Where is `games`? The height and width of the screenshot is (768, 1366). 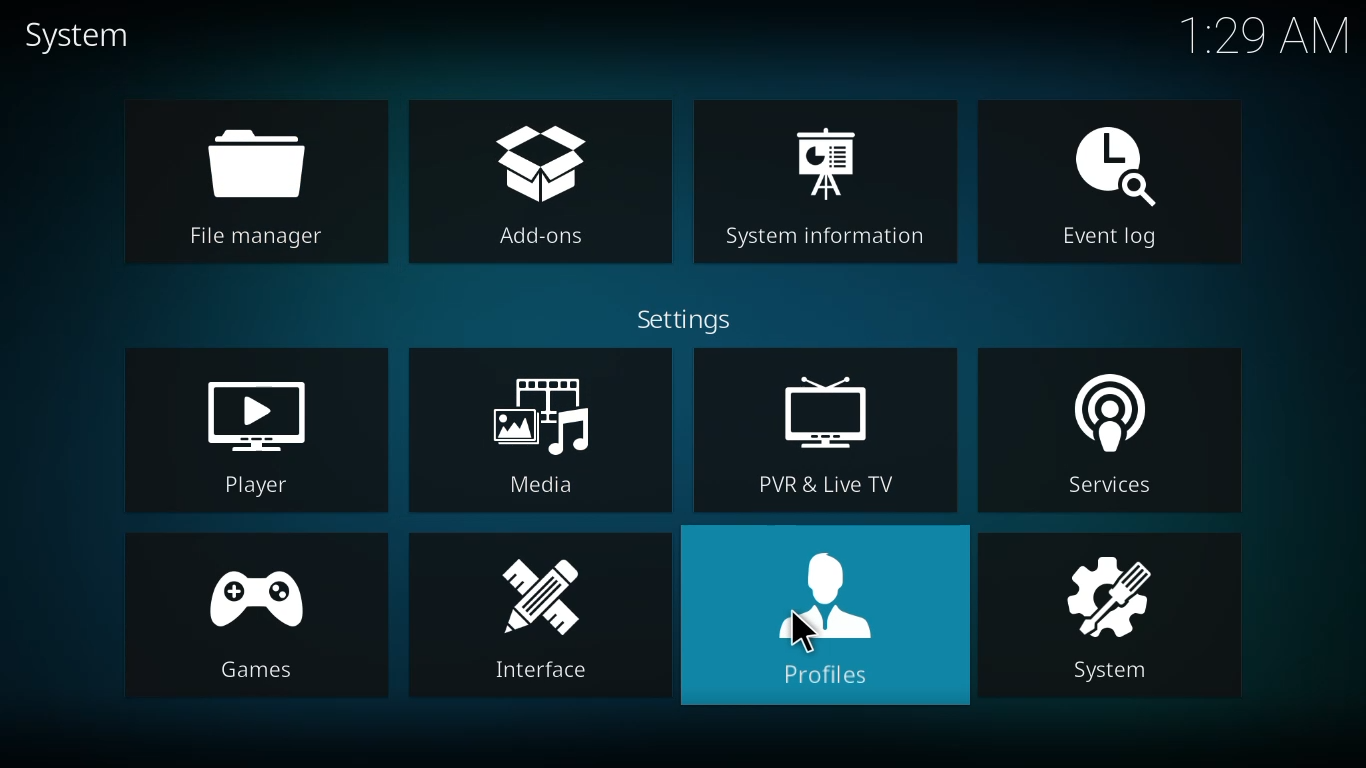
games is located at coordinates (252, 619).